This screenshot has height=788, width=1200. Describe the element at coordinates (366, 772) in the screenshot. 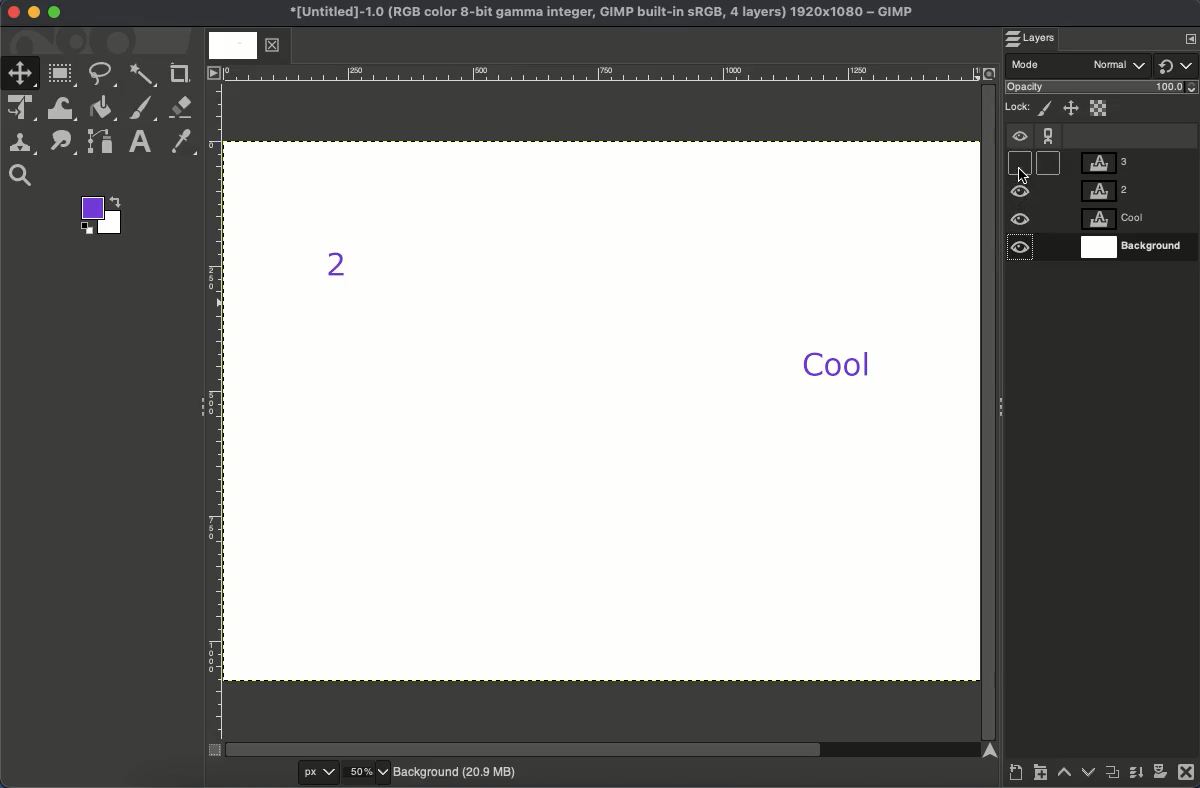

I see `50%` at that location.